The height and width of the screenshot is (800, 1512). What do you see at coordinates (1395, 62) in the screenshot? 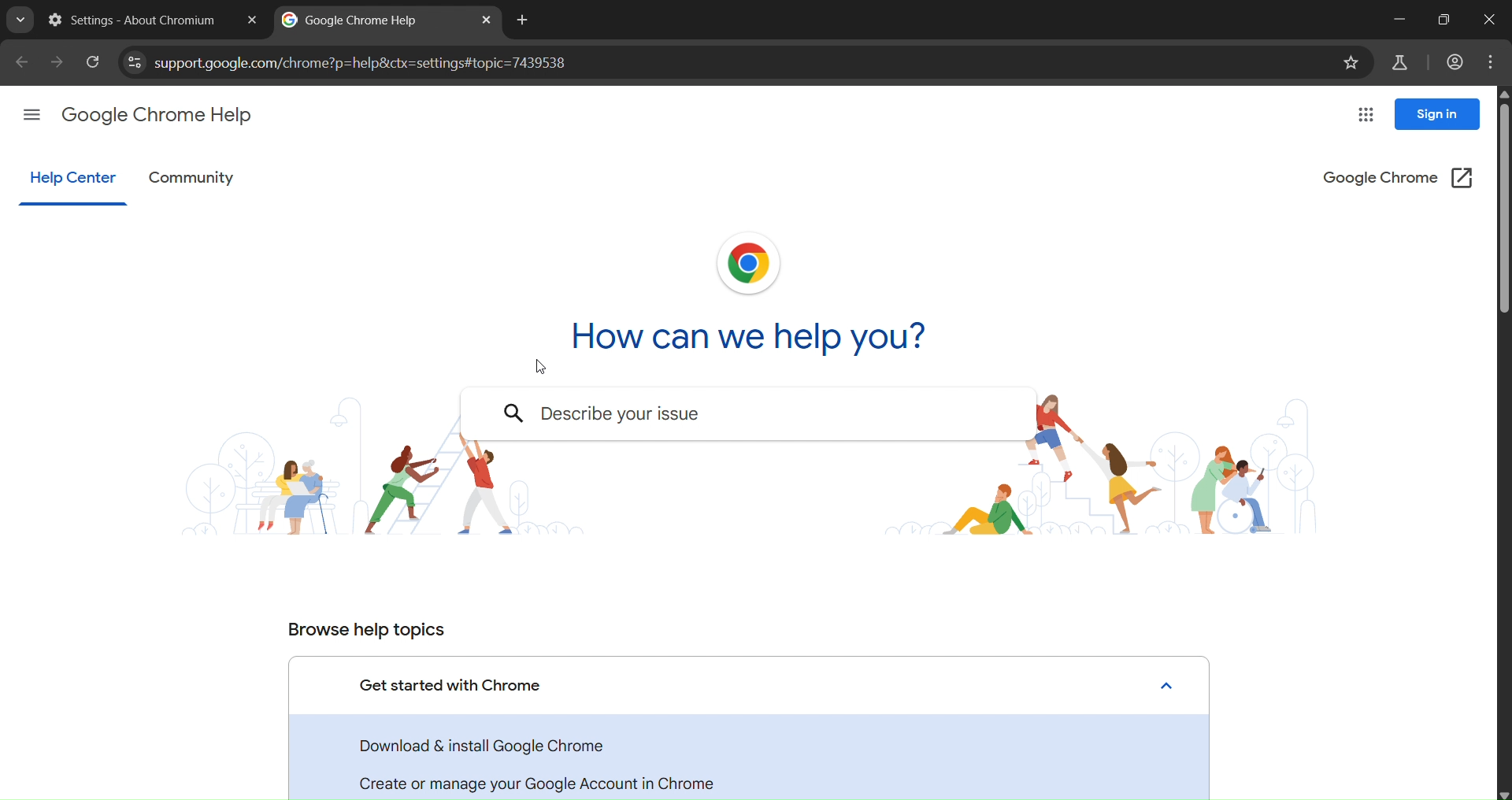
I see `search labs` at bounding box center [1395, 62].